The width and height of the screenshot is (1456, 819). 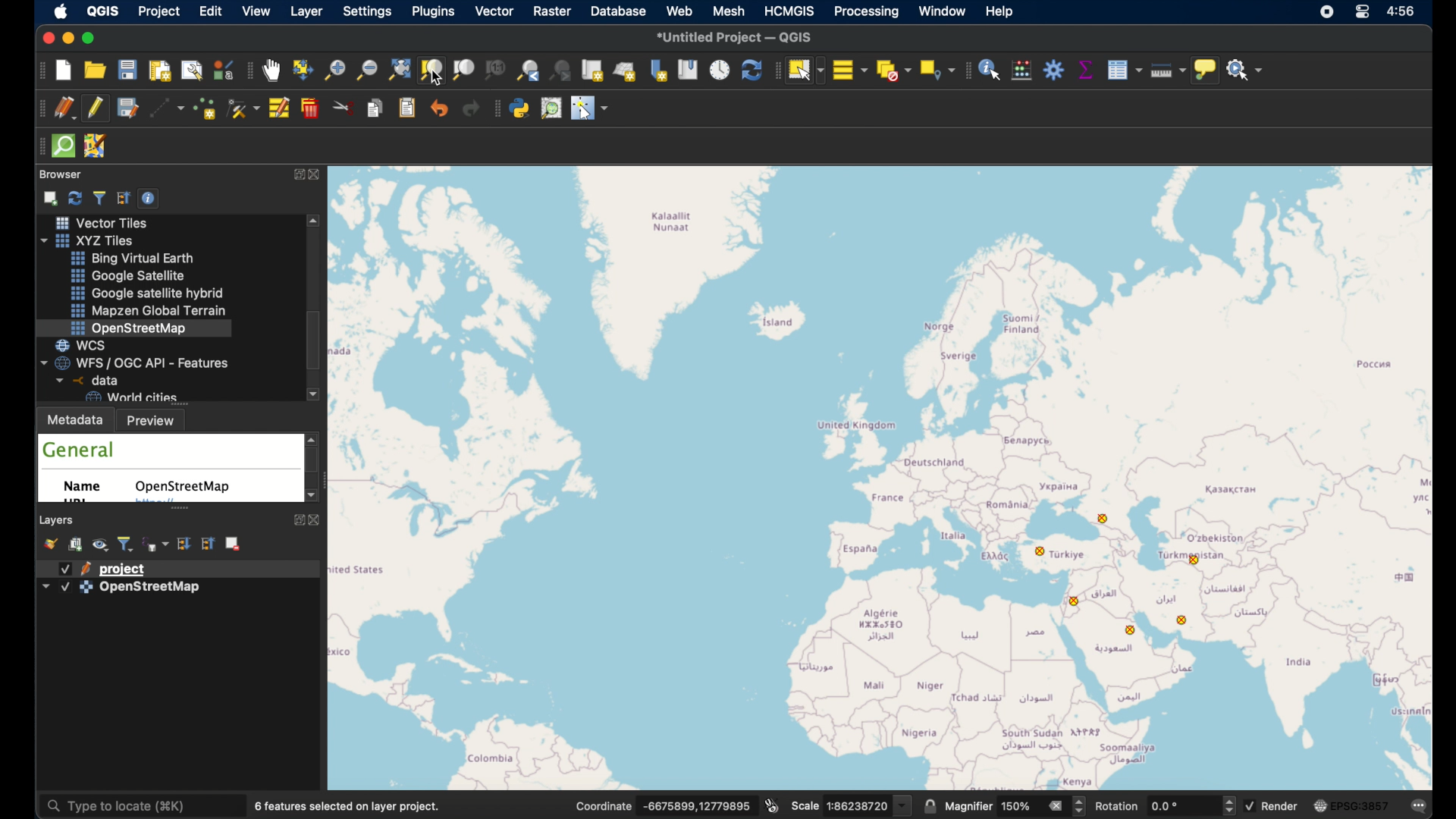 What do you see at coordinates (45, 37) in the screenshot?
I see `close` at bounding box center [45, 37].